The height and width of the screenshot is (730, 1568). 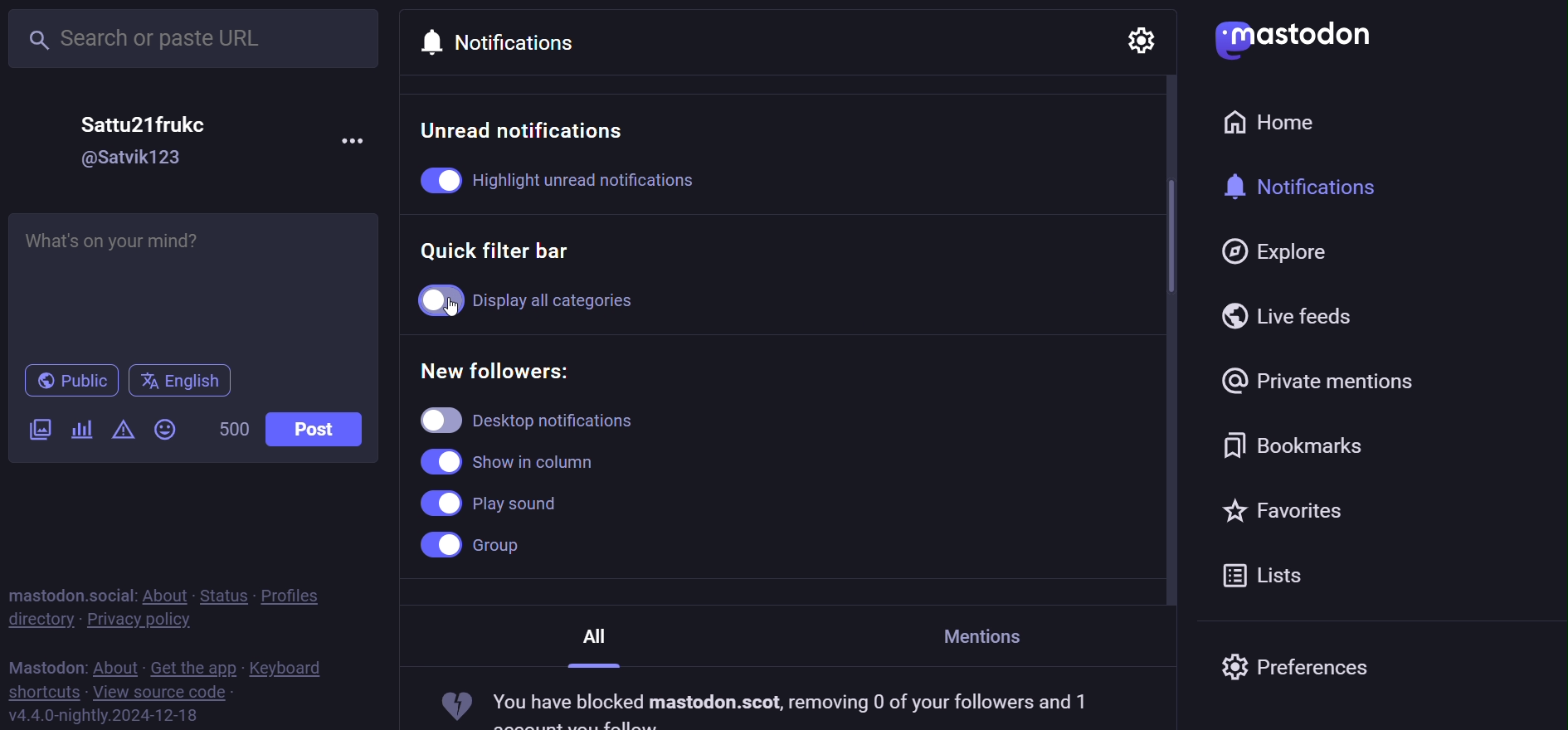 I want to click on get the app, so click(x=192, y=666).